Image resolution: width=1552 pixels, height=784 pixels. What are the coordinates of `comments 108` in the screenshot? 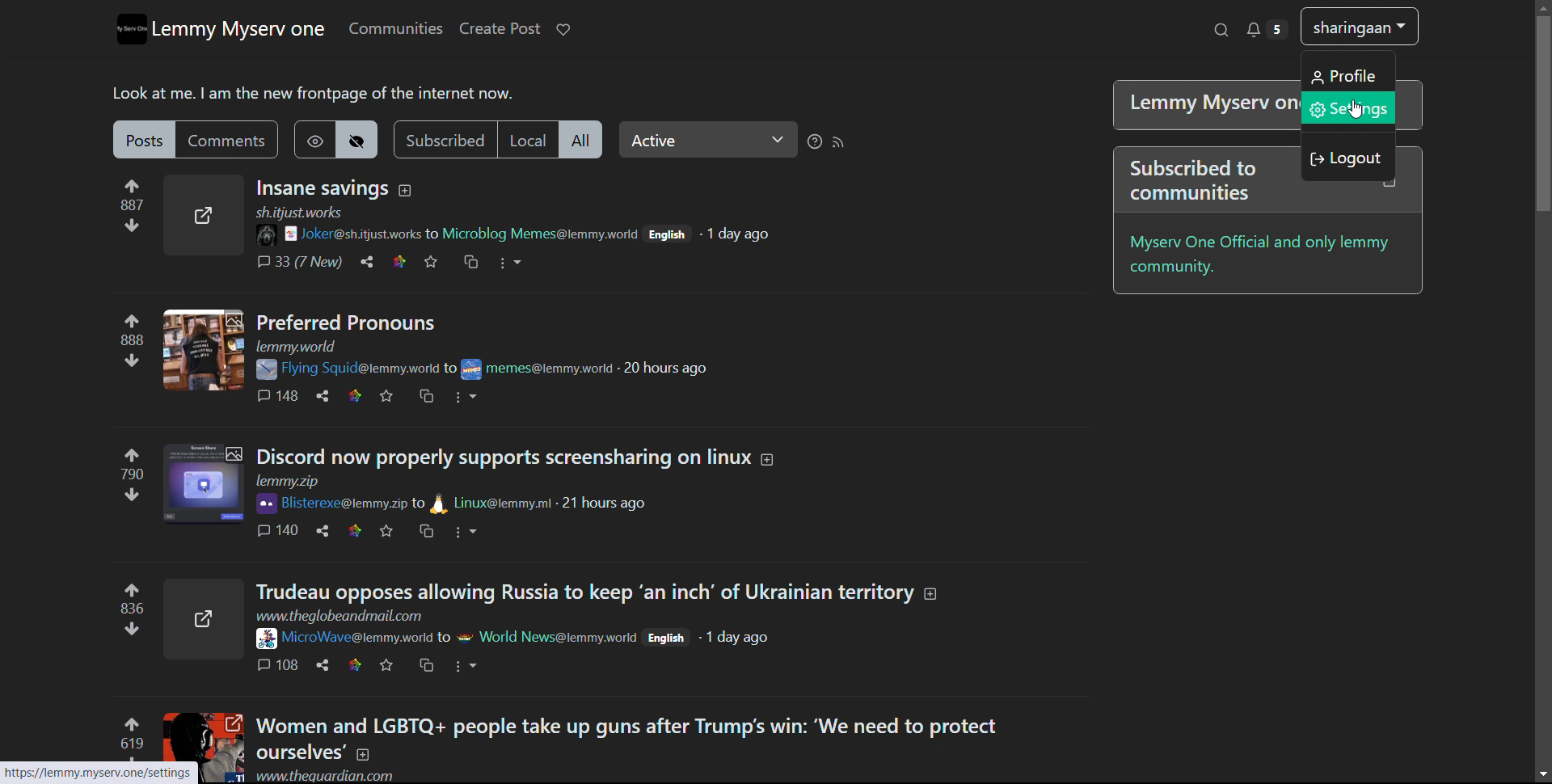 It's located at (277, 666).